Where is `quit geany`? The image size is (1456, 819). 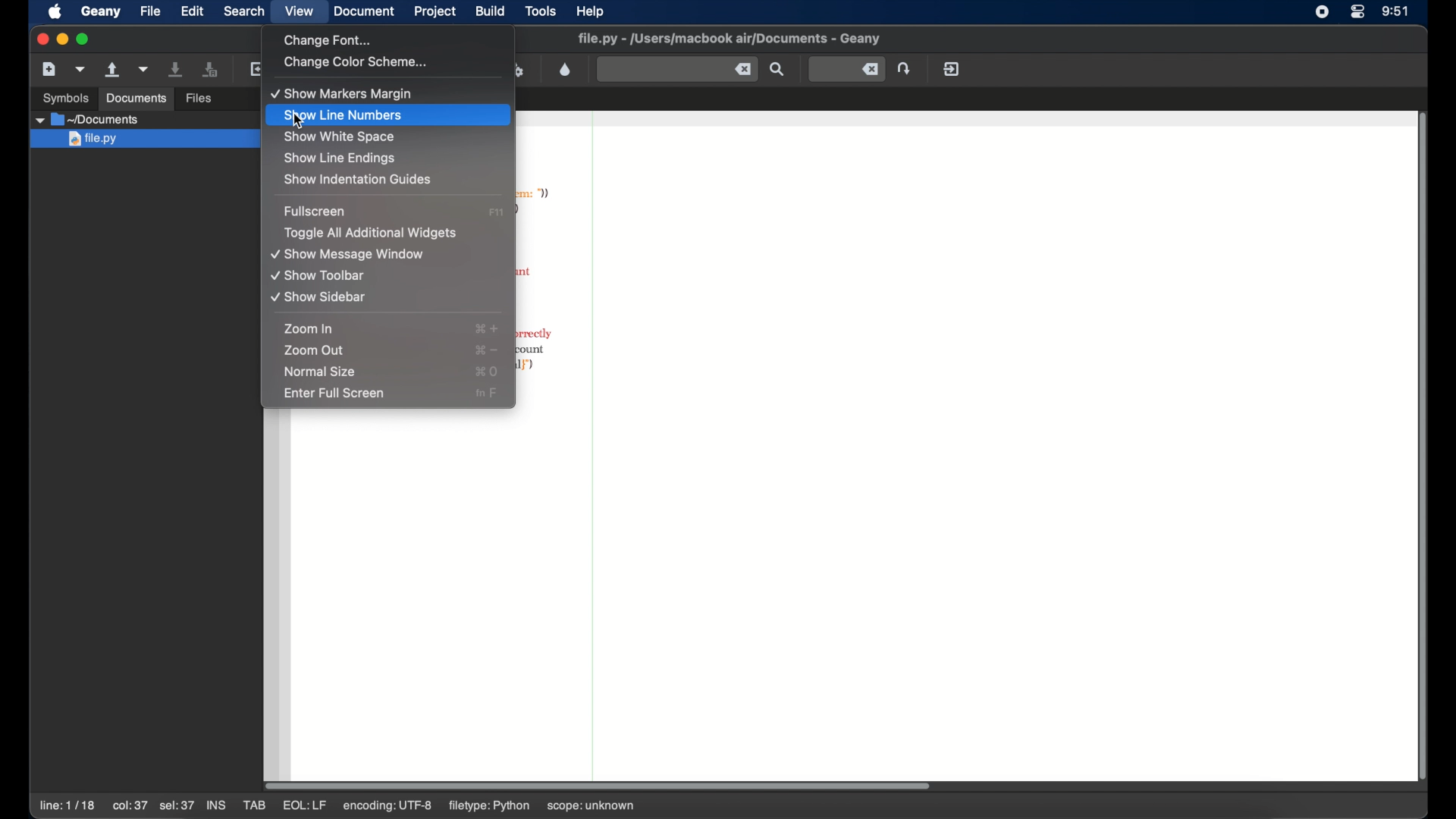
quit geany is located at coordinates (952, 70).